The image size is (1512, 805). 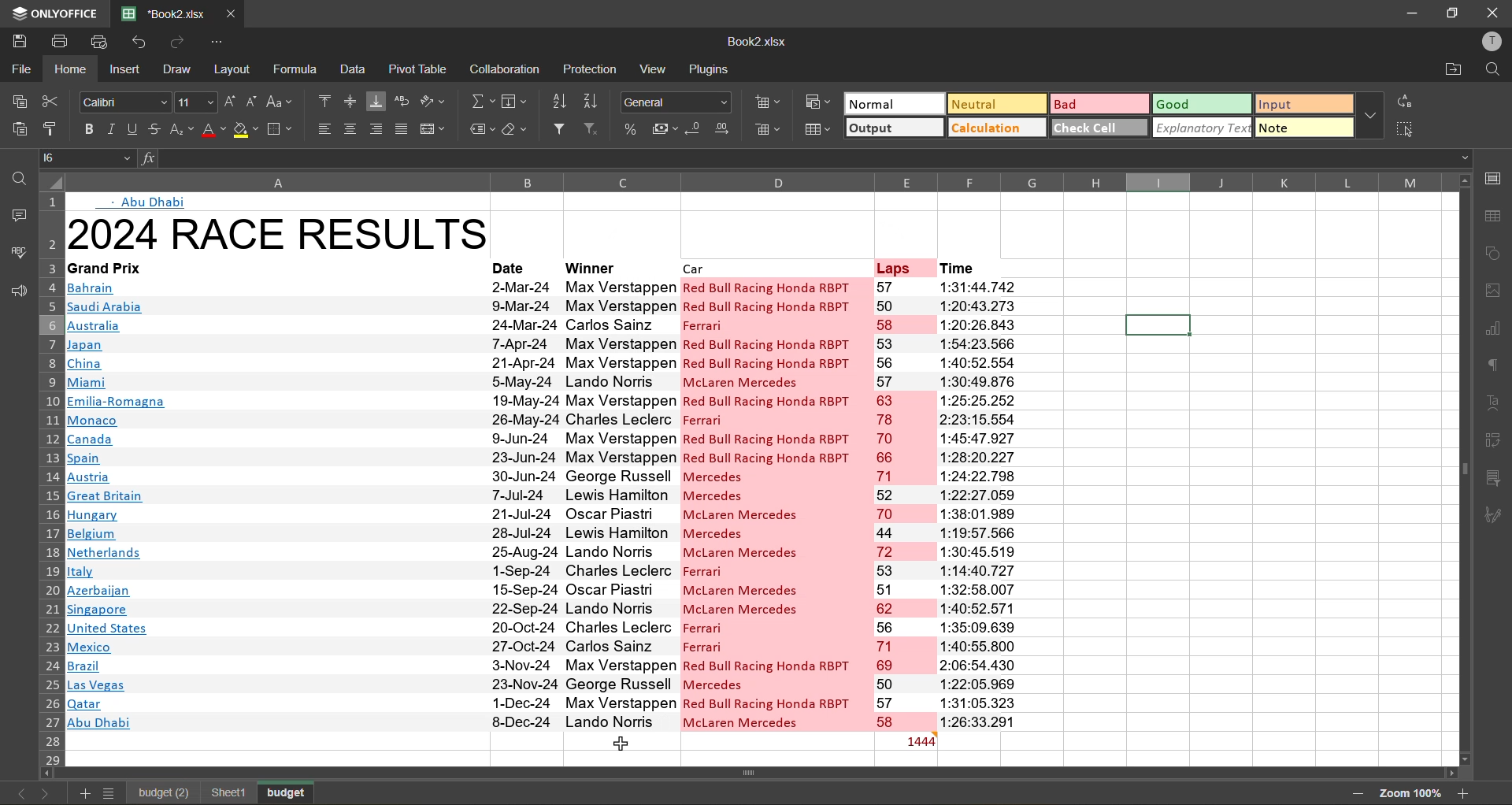 What do you see at coordinates (324, 99) in the screenshot?
I see `align top` at bounding box center [324, 99].